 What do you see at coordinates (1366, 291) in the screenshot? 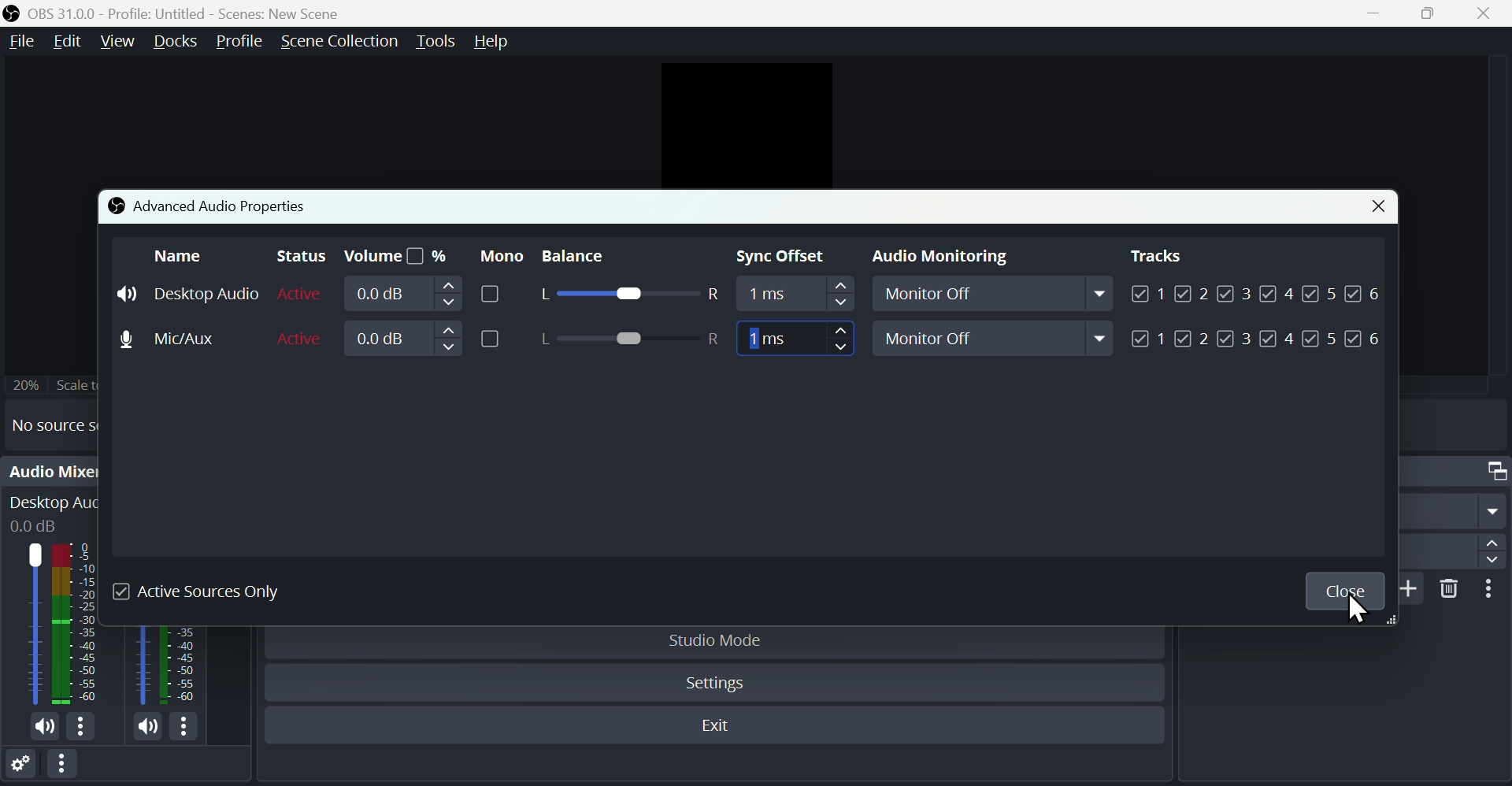
I see `(un)check Track 6` at bounding box center [1366, 291].